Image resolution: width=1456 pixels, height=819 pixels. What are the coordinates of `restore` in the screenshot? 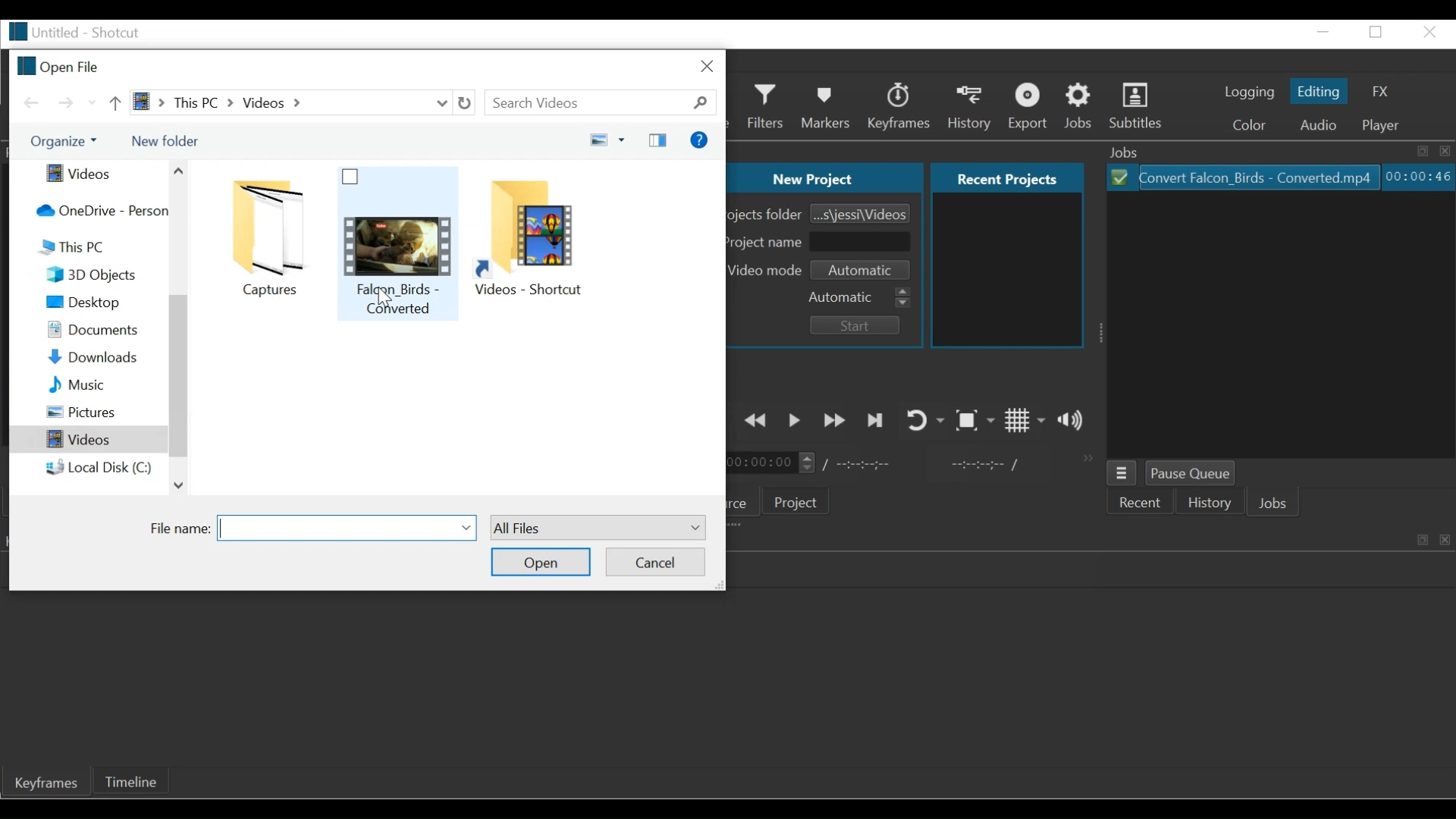 It's located at (1375, 33).